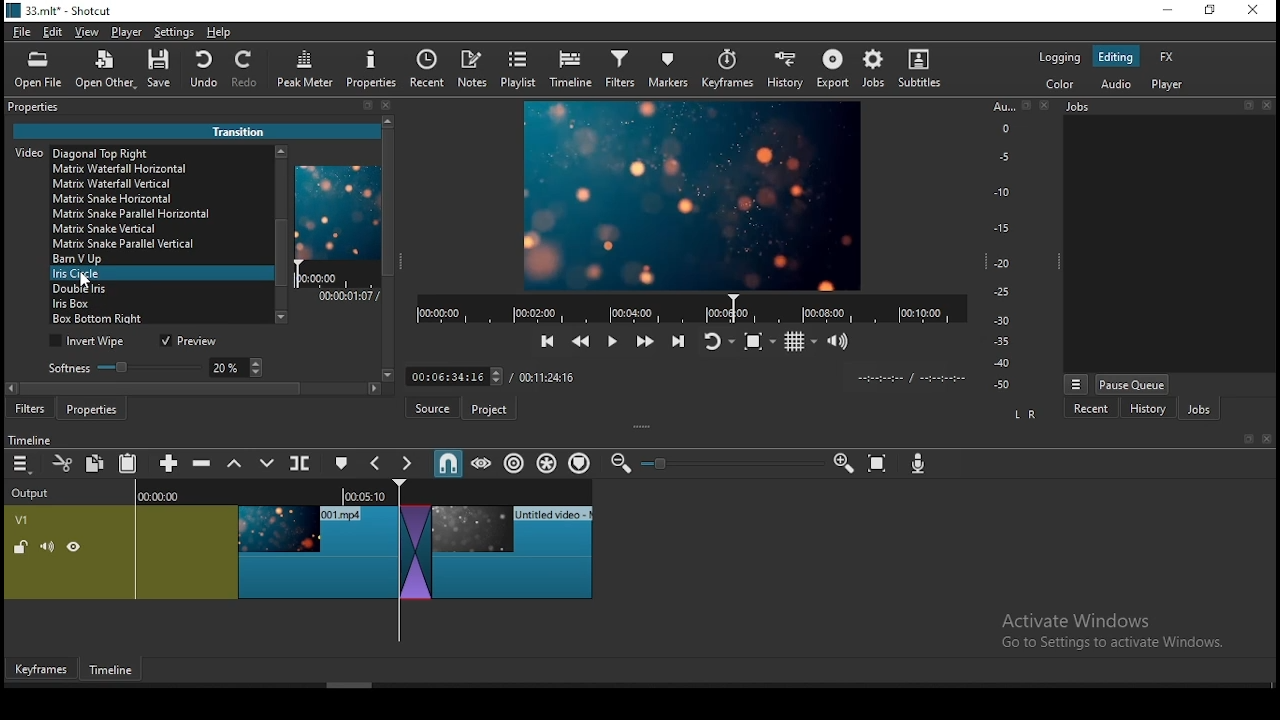  Describe the element at coordinates (716, 343) in the screenshot. I see `toggle player looping` at that location.